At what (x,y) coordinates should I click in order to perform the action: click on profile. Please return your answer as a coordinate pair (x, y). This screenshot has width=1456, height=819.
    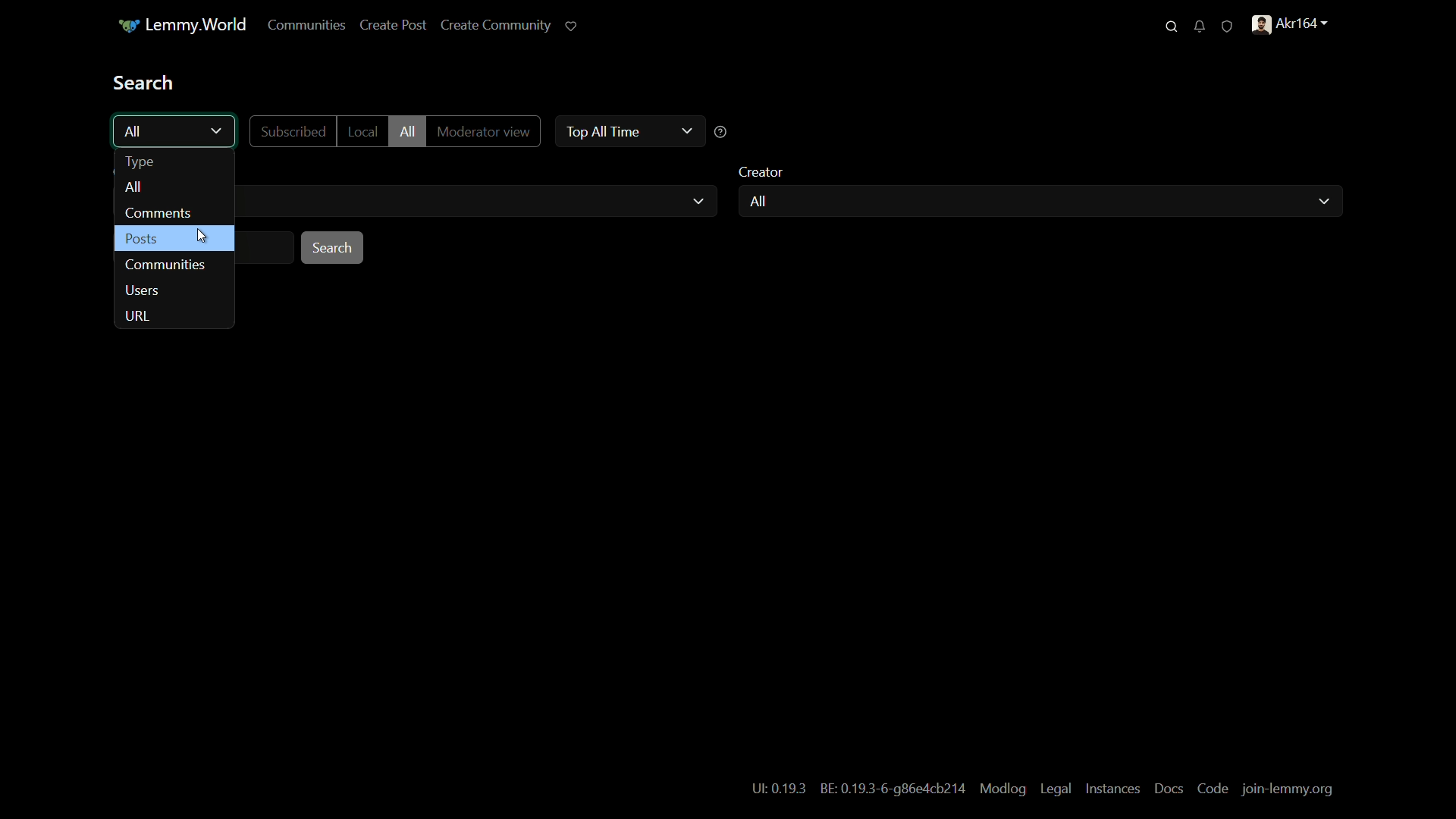
    Looking at the image, I should click on (1293, 24).